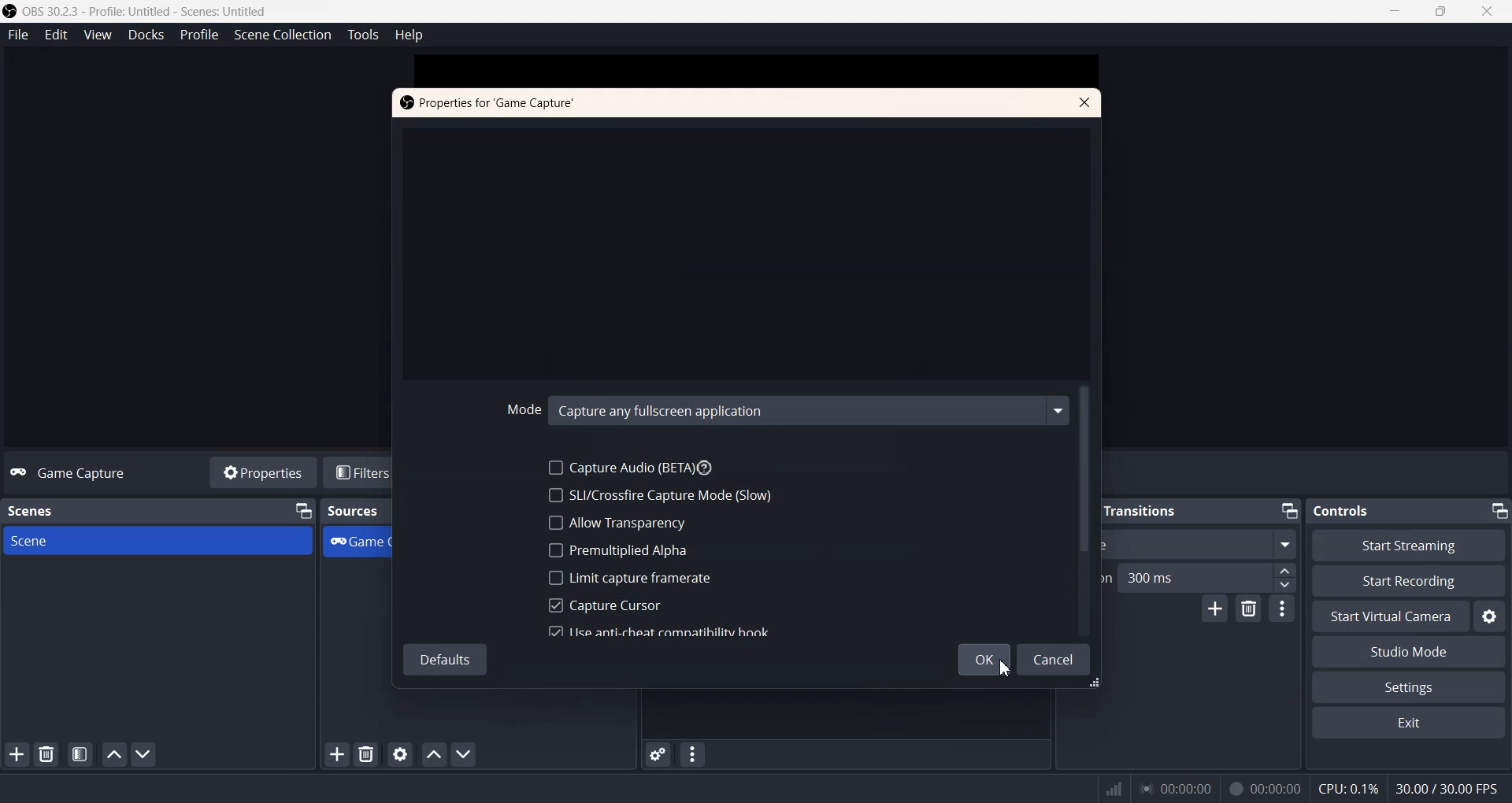  What do you see at coordinates (67, 472) in the screenshot?
I see `Text` at bounding box center [67, 472].